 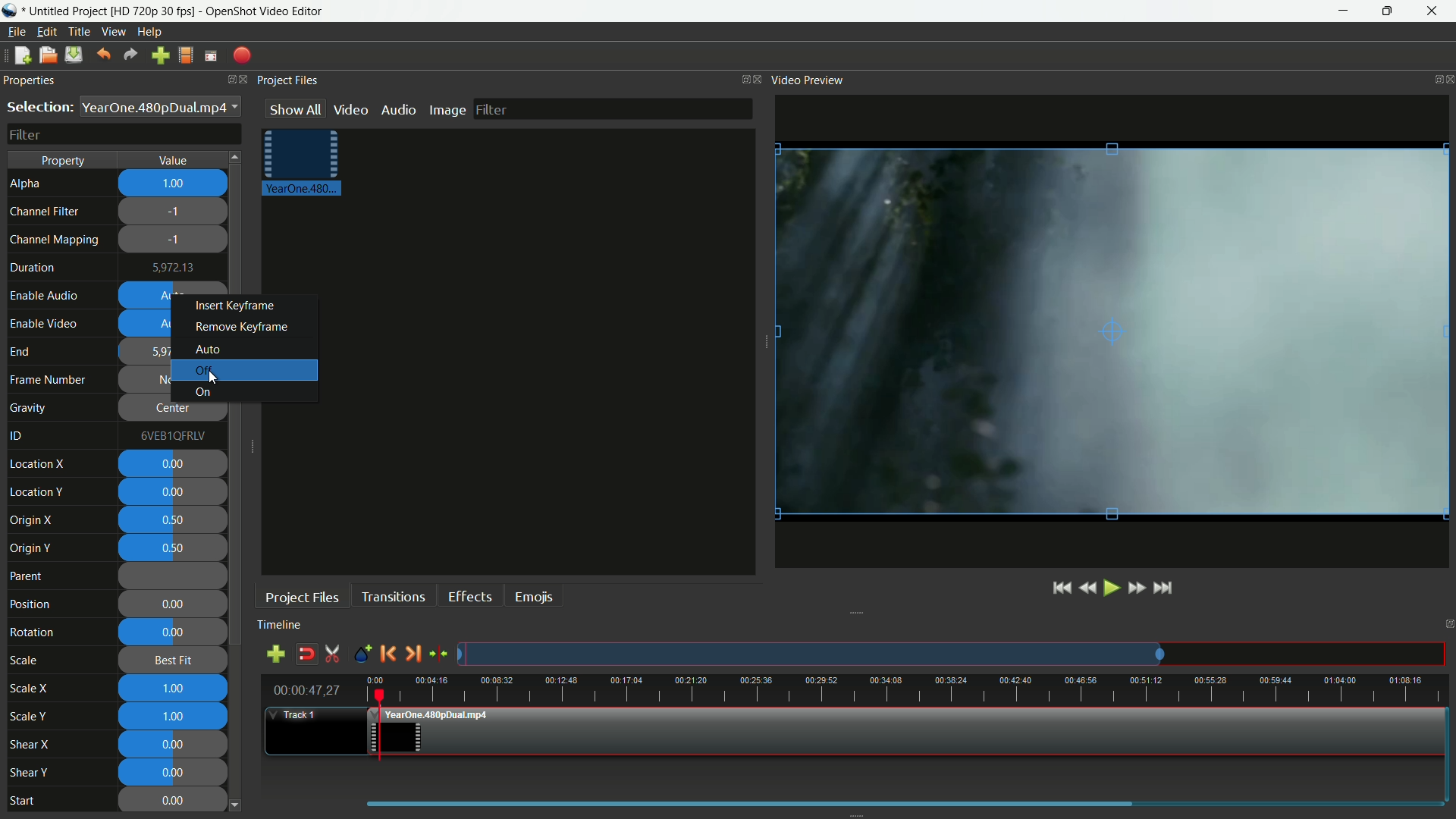 What do you see at coordinates (739, 79) in the screenshot?
I see `change layout` at bounding box center [739, 79].